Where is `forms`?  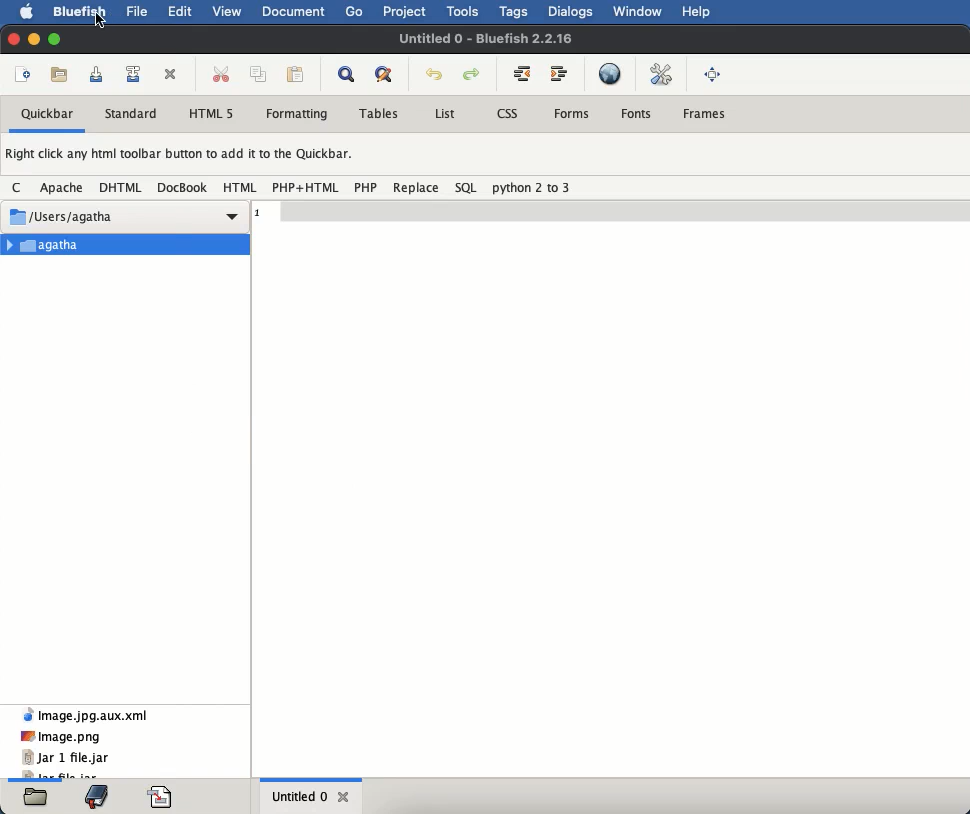 forms is located at coordinates (573, 112).